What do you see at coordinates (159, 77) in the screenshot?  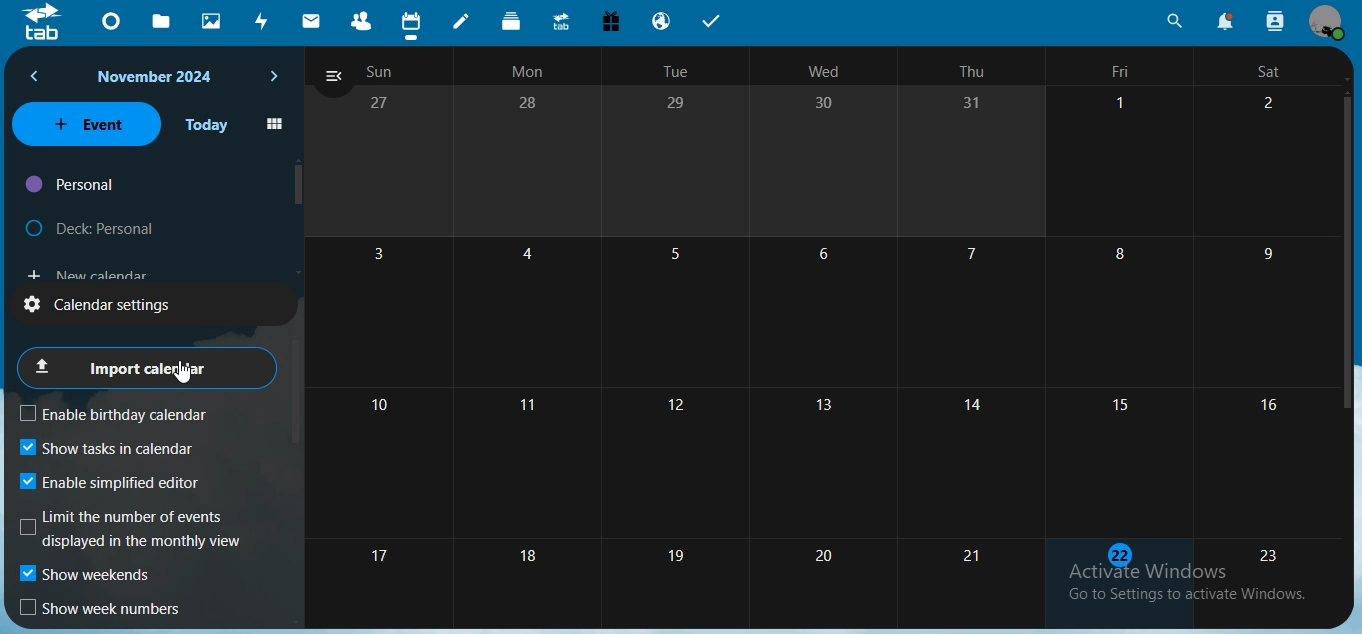 I see `november 2024` at bounding box center [159, 77].